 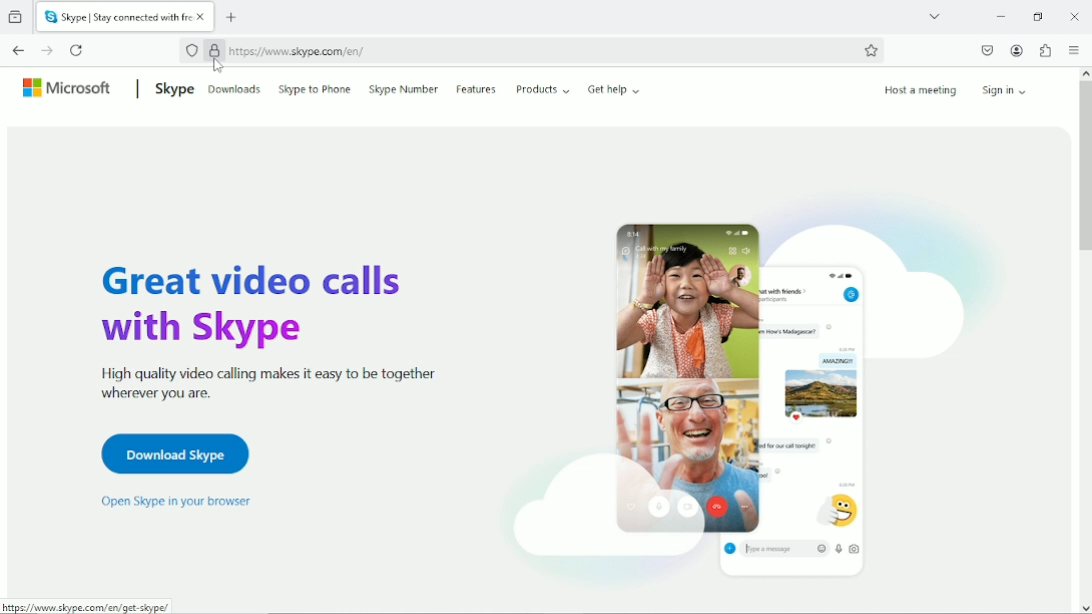 What do you see at coordinates (172, 453) in the screenshot?
I see `Download Skype` at bounding box center [172, 453].